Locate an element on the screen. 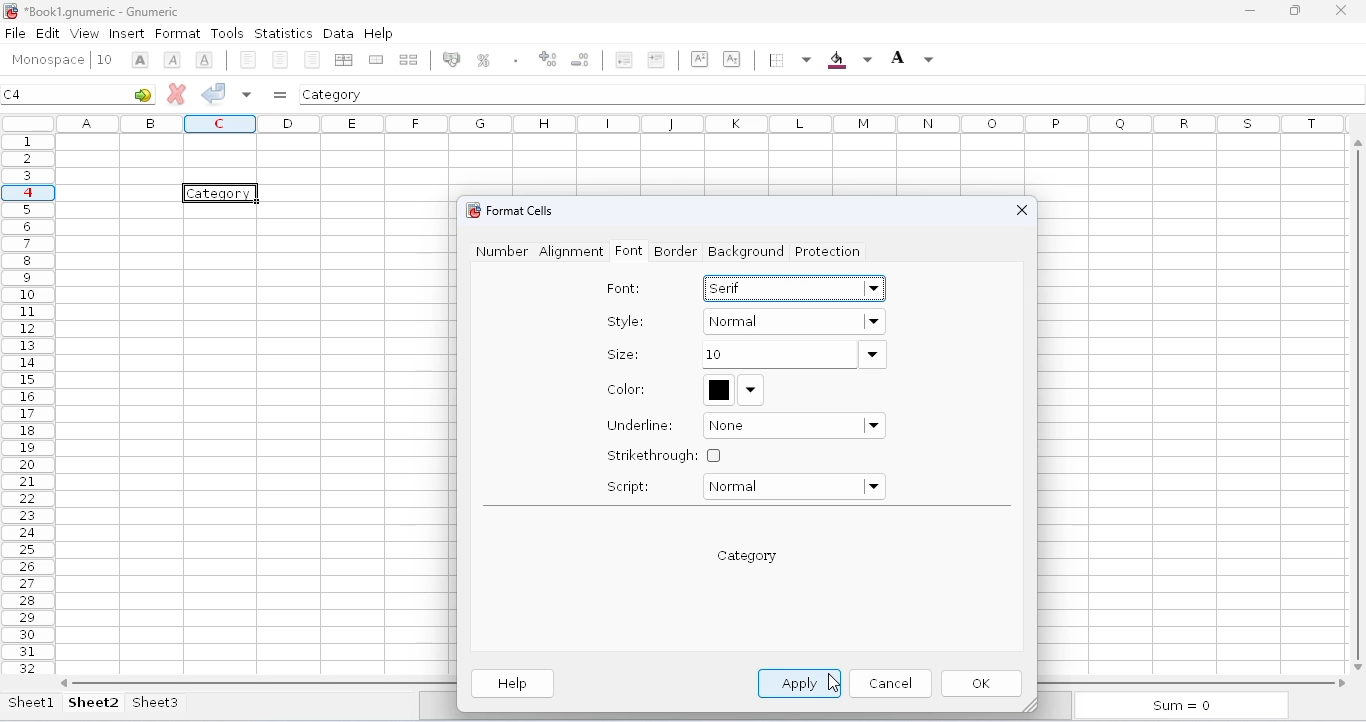 This screenshot has width=1366, height=722. font is located at coordinates (47, 60).